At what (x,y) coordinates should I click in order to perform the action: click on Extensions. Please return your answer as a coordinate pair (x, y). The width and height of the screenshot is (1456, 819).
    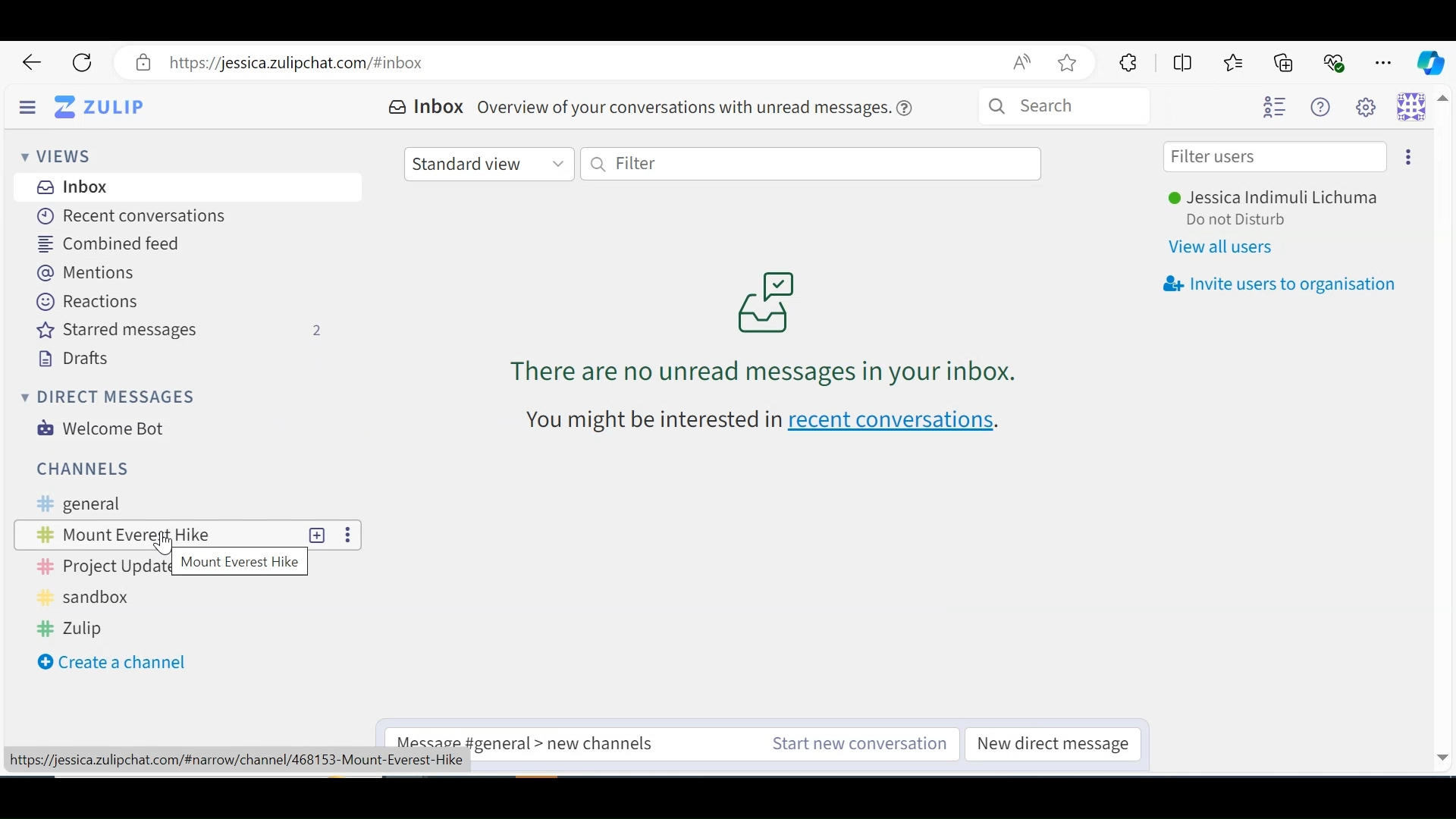
    Looking at the image, I should click on (1126, 63).